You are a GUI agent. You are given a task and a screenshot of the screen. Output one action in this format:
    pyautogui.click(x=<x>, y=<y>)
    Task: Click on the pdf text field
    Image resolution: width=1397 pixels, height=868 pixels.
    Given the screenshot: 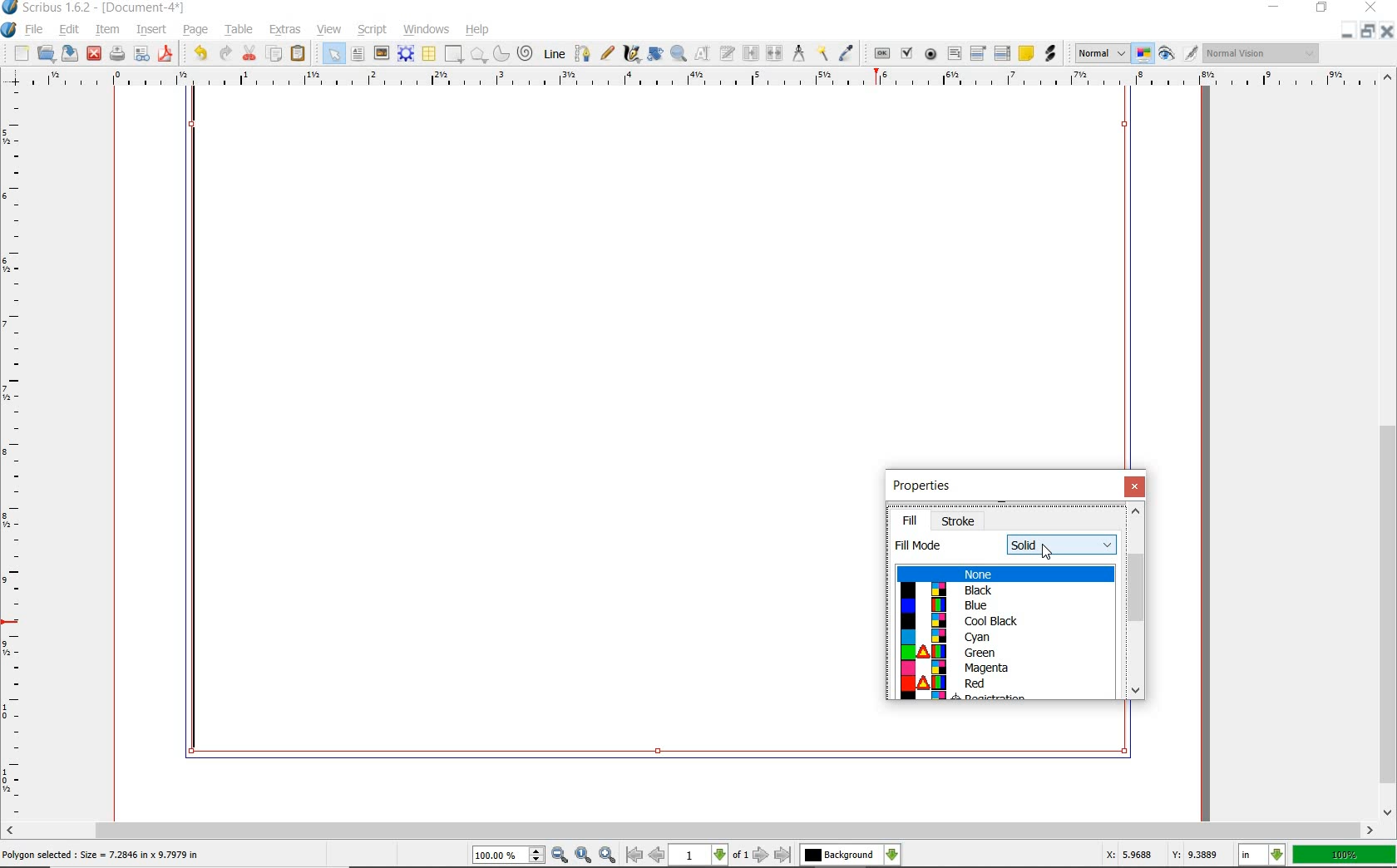 What is the action you would take?
    pyautogui.click(x=954, y=53)
    